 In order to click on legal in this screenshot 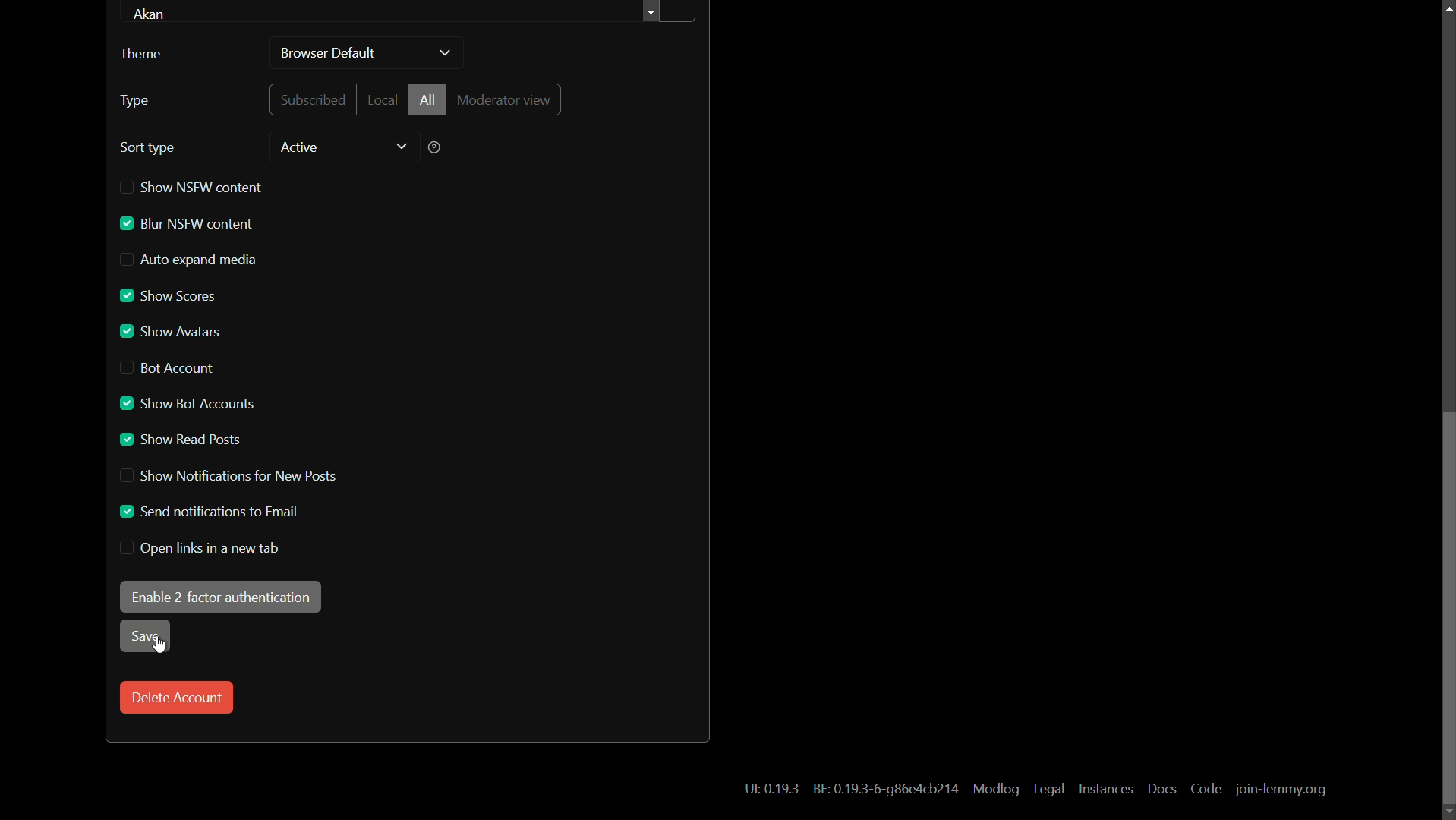, I will do `click(1050, 790)`.